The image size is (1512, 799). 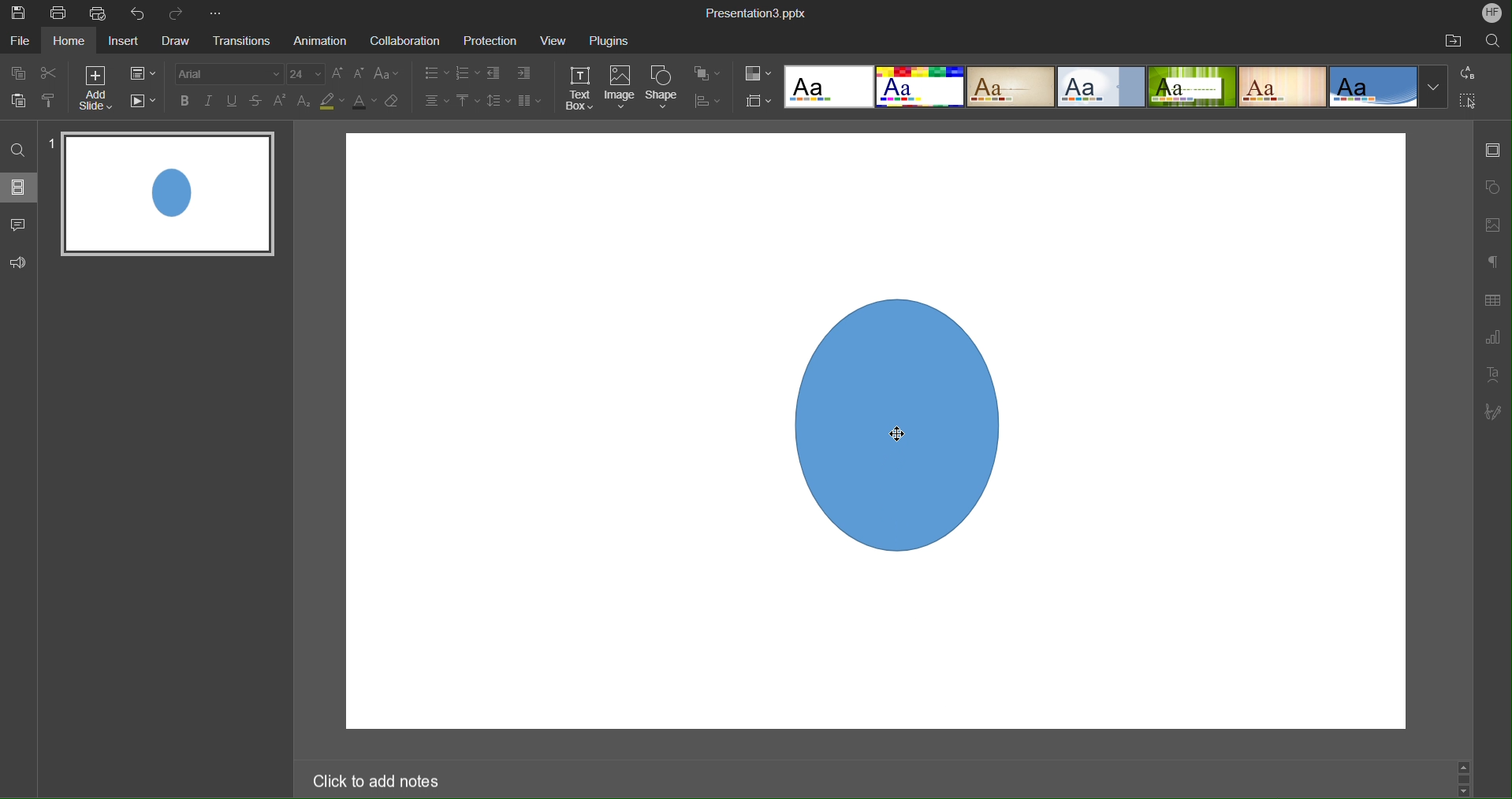 What do you see at coordinates (497, 102) in the screenshot?
I see `Line Spacing` at bounding box center [497, 102].